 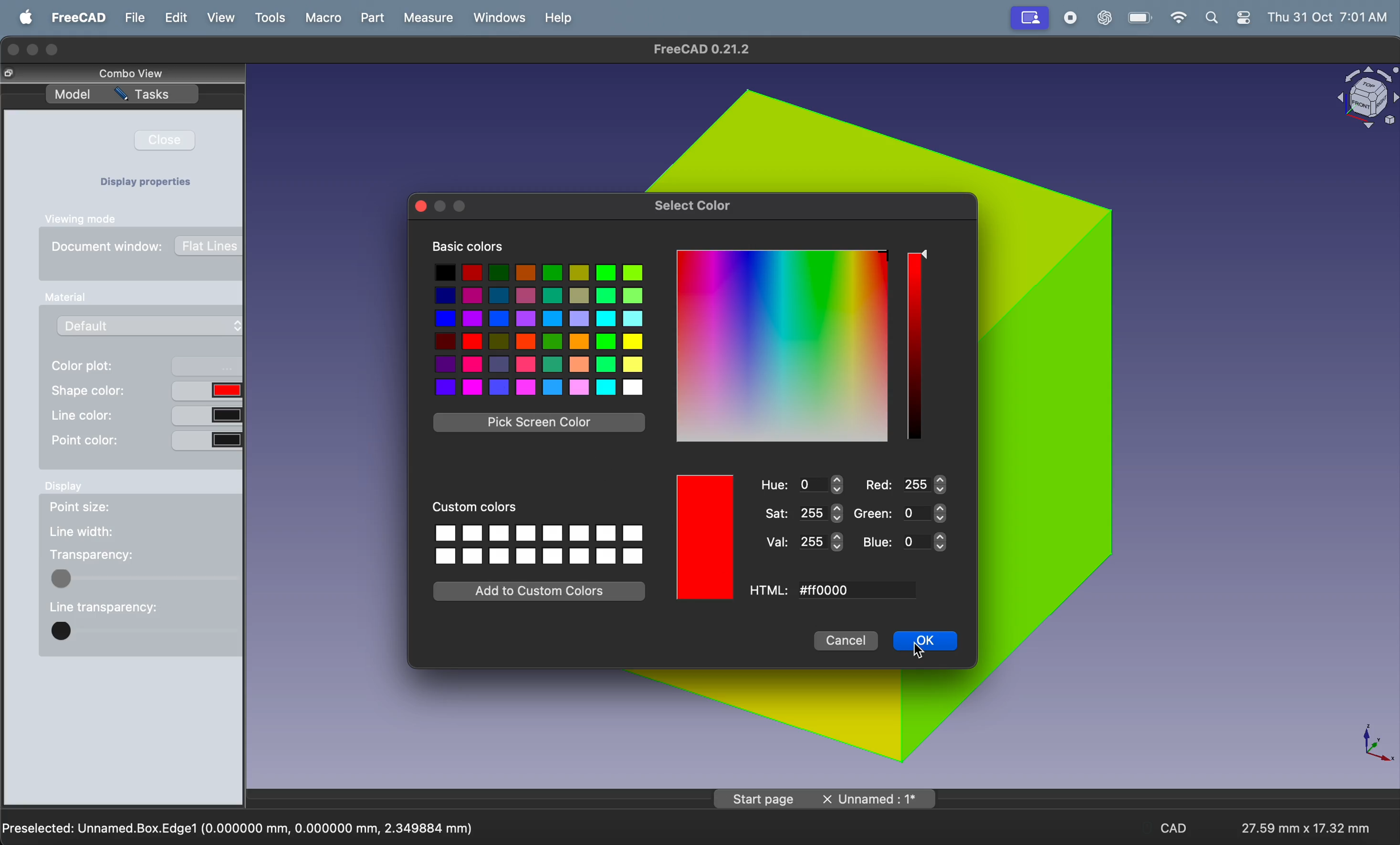 I want to click on aspect ratio, so click(x=1301, y=823).